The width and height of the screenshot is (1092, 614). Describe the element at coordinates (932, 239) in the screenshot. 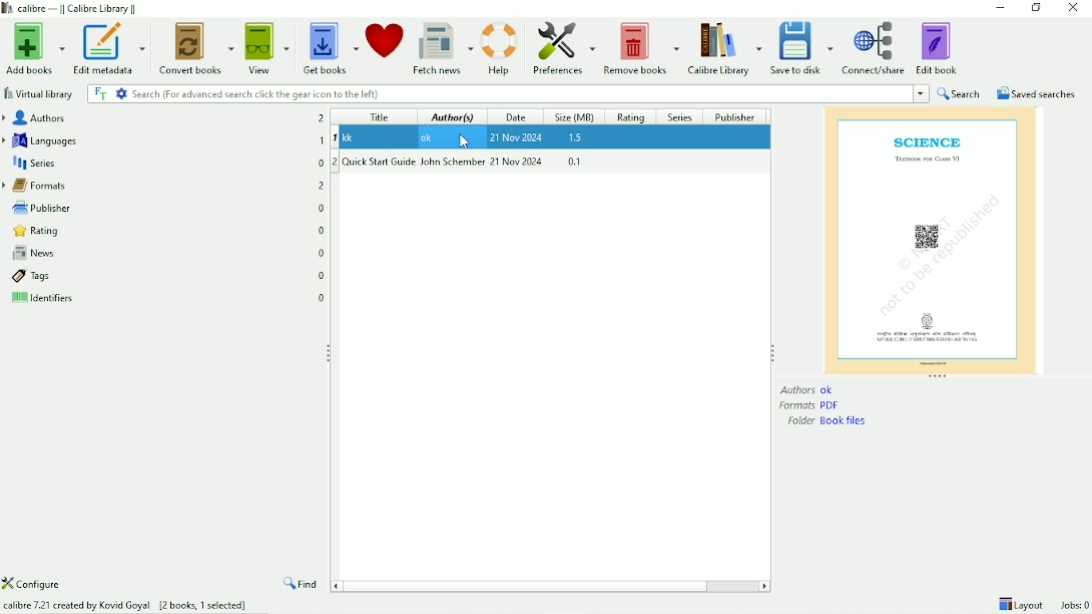

I see `Preview` at that location.